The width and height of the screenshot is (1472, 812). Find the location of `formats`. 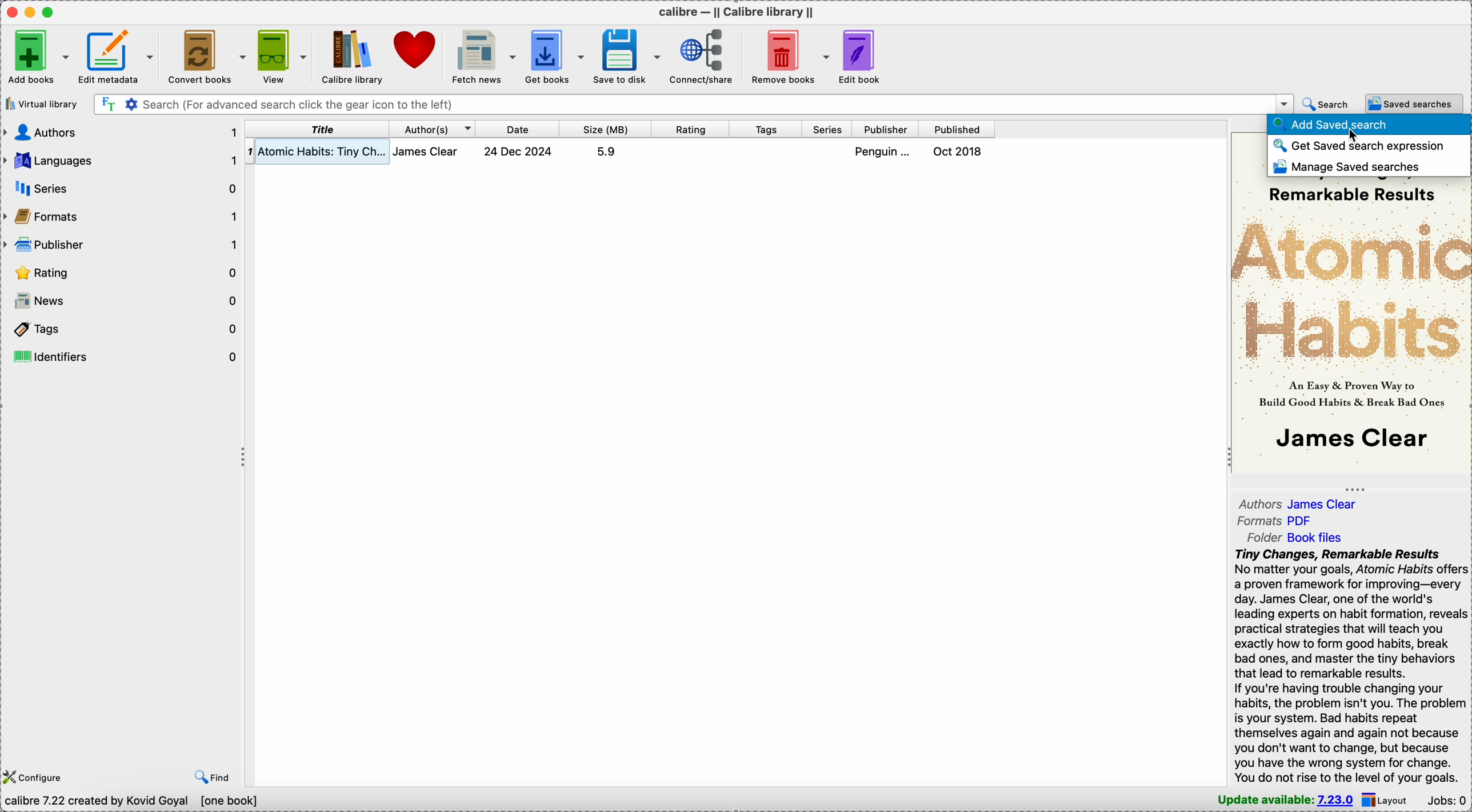

formats is located at coordinates (123, 218).